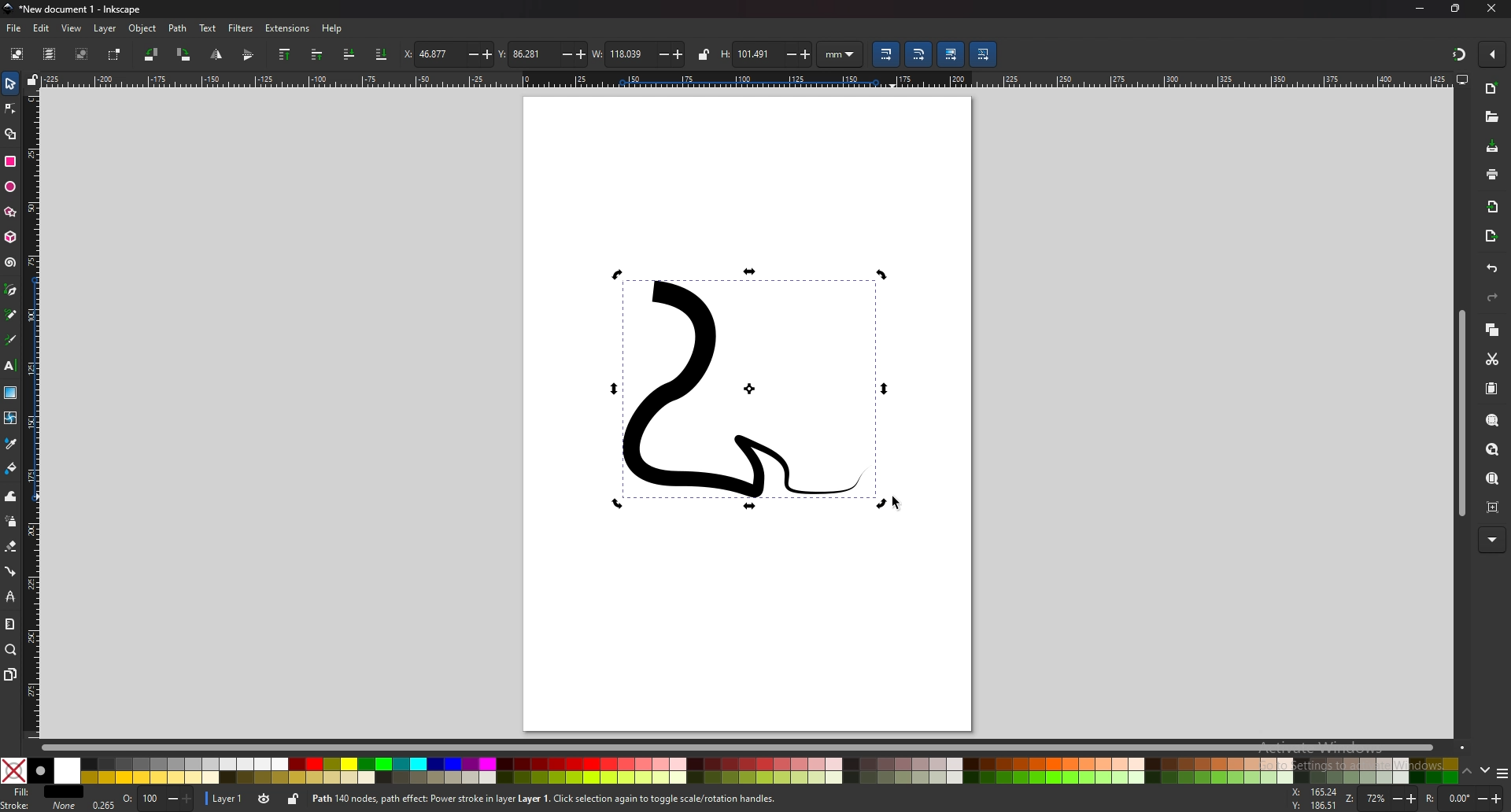  I want to click on fill, so click(40, 791).